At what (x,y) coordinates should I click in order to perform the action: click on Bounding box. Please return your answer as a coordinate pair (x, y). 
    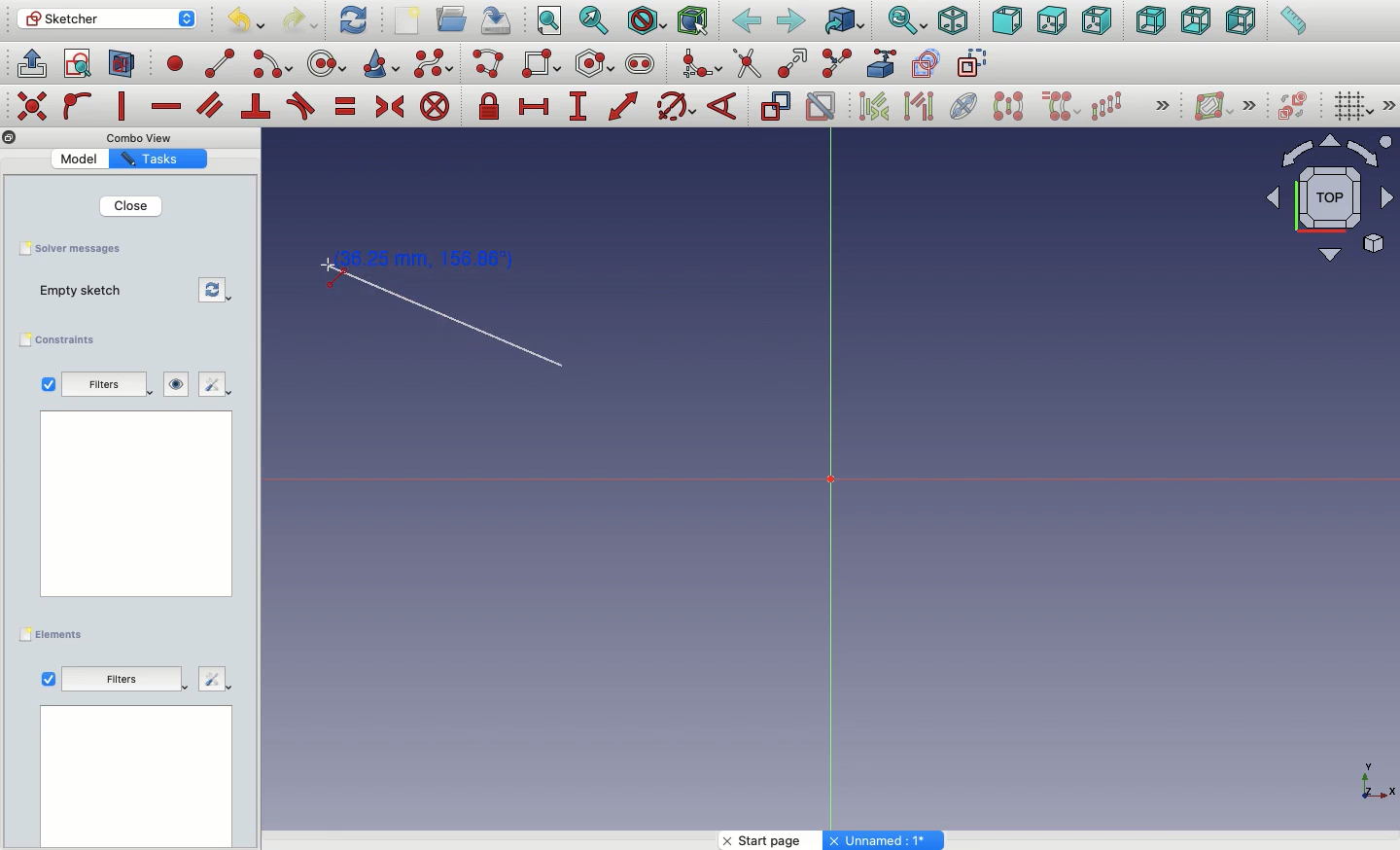
    Looking at the image, I should click on (695, 22).